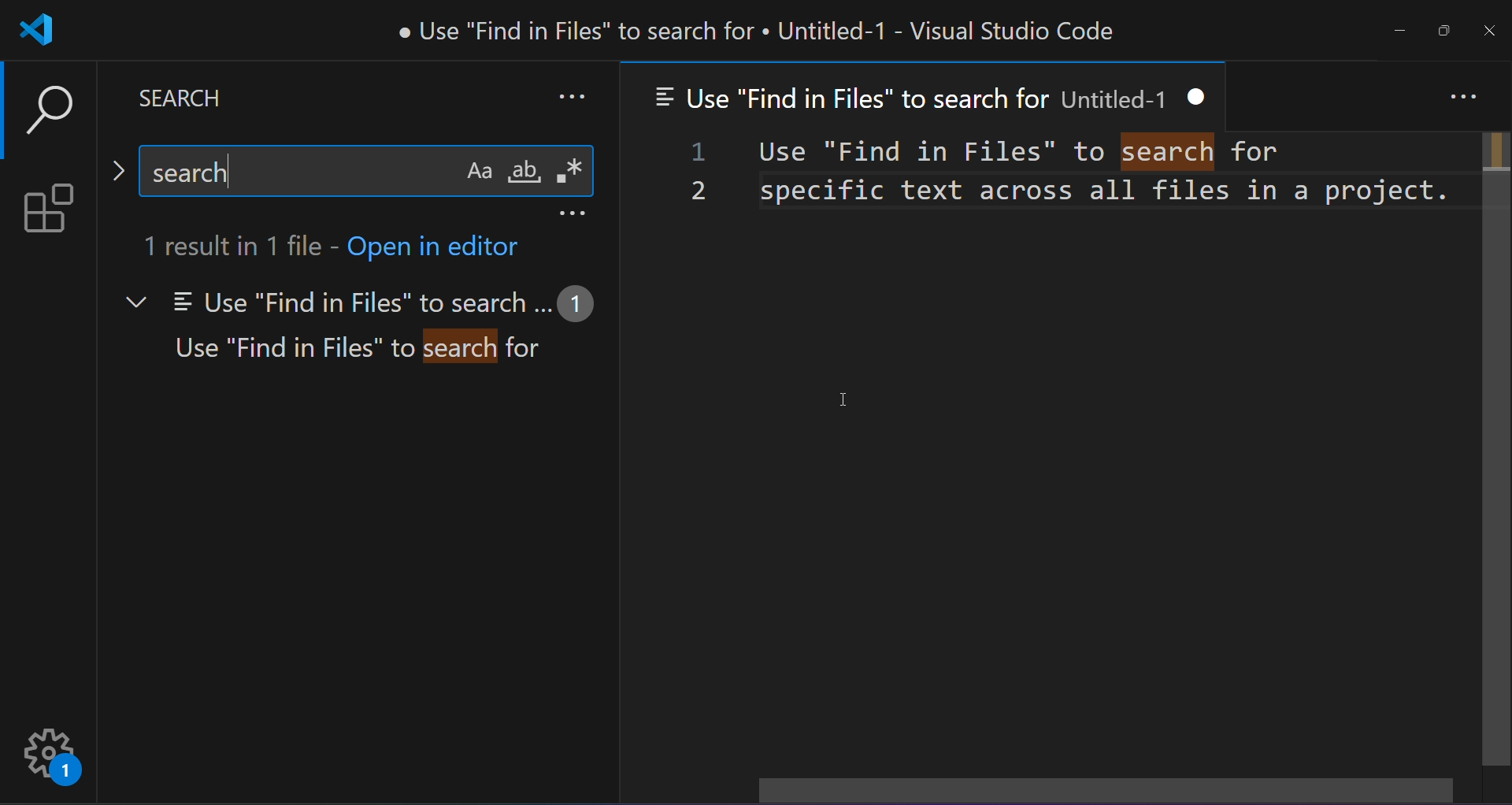  I want to click on  Use "Find in Files" to search...1, so click(389, 299).